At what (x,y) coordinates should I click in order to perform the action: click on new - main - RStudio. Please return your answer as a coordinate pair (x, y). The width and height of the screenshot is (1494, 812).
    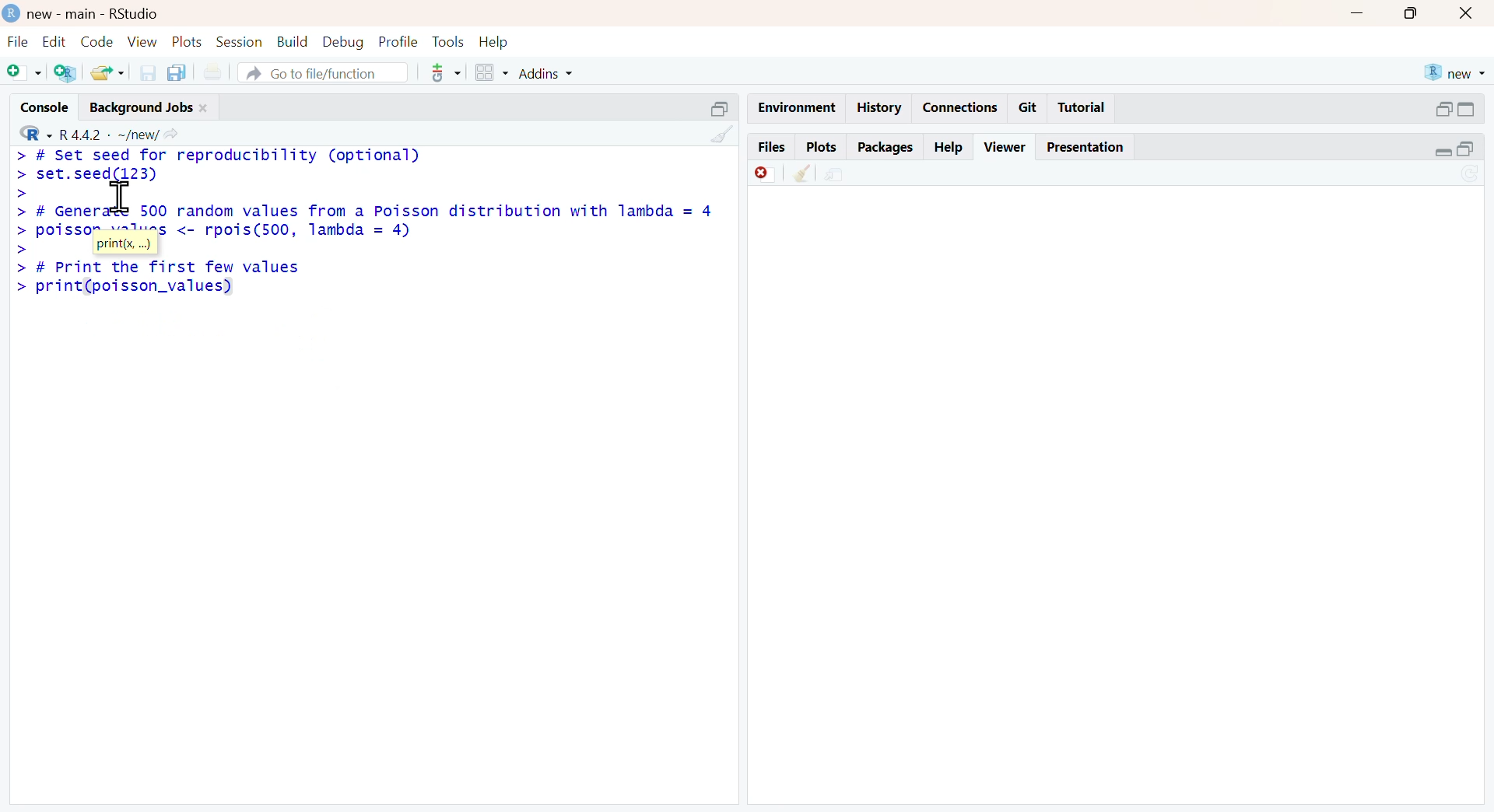
    Looking at the image, I should click on (93, 15).